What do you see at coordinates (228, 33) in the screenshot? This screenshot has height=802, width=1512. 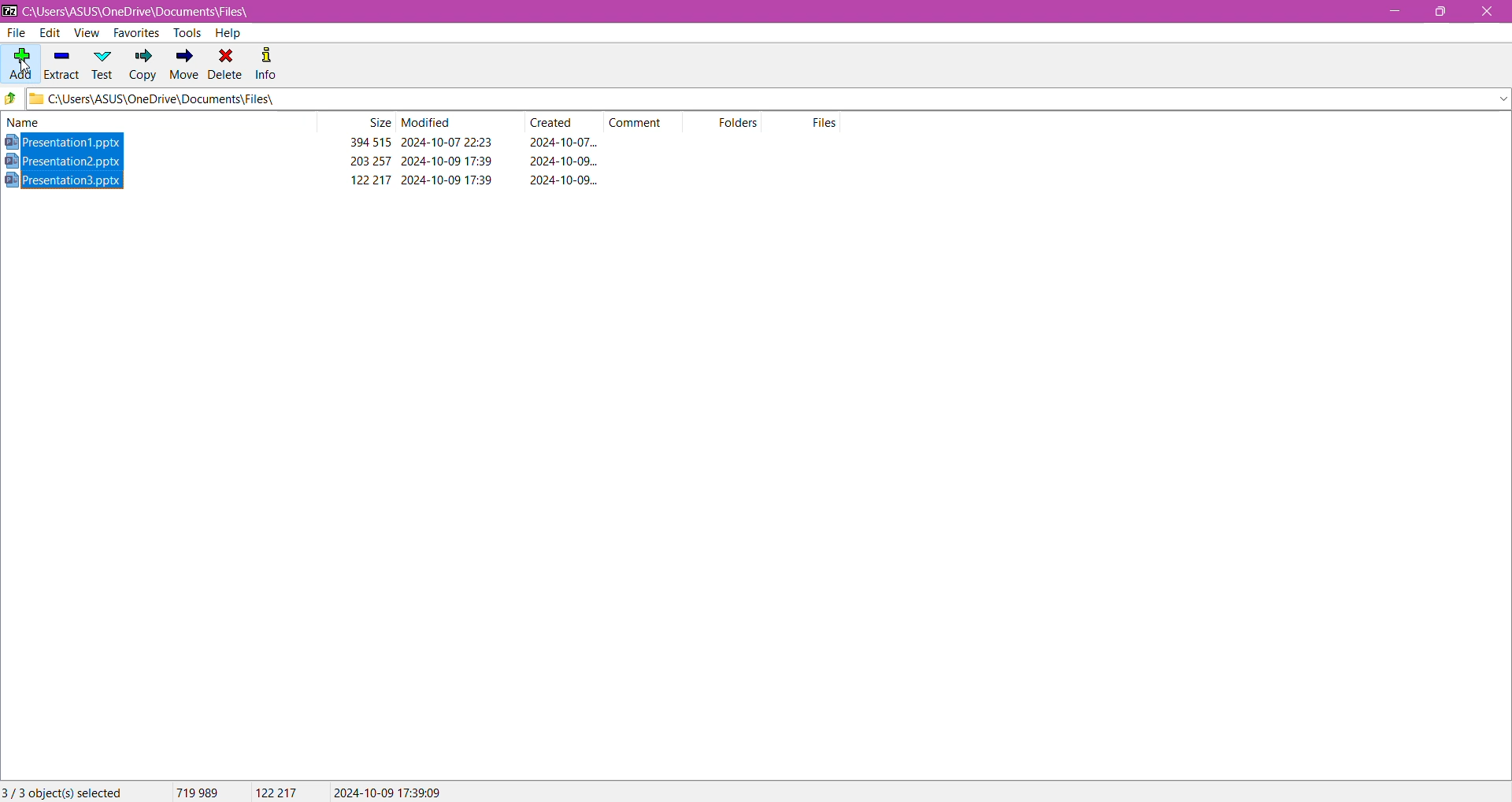 I see `Help` at bounding box center [228, 33].